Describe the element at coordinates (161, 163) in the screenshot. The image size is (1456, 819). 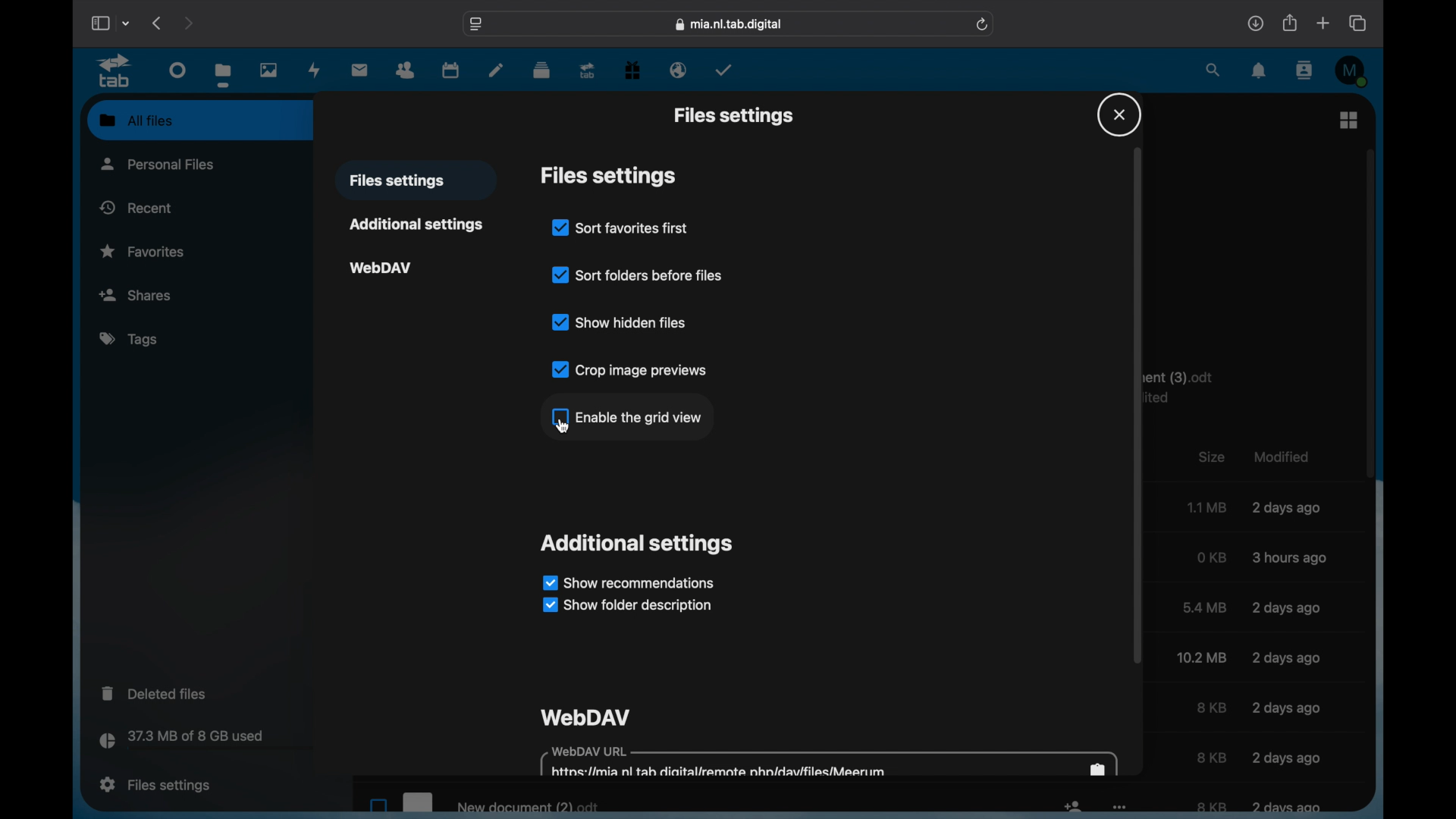
I see `personal files` at that location.